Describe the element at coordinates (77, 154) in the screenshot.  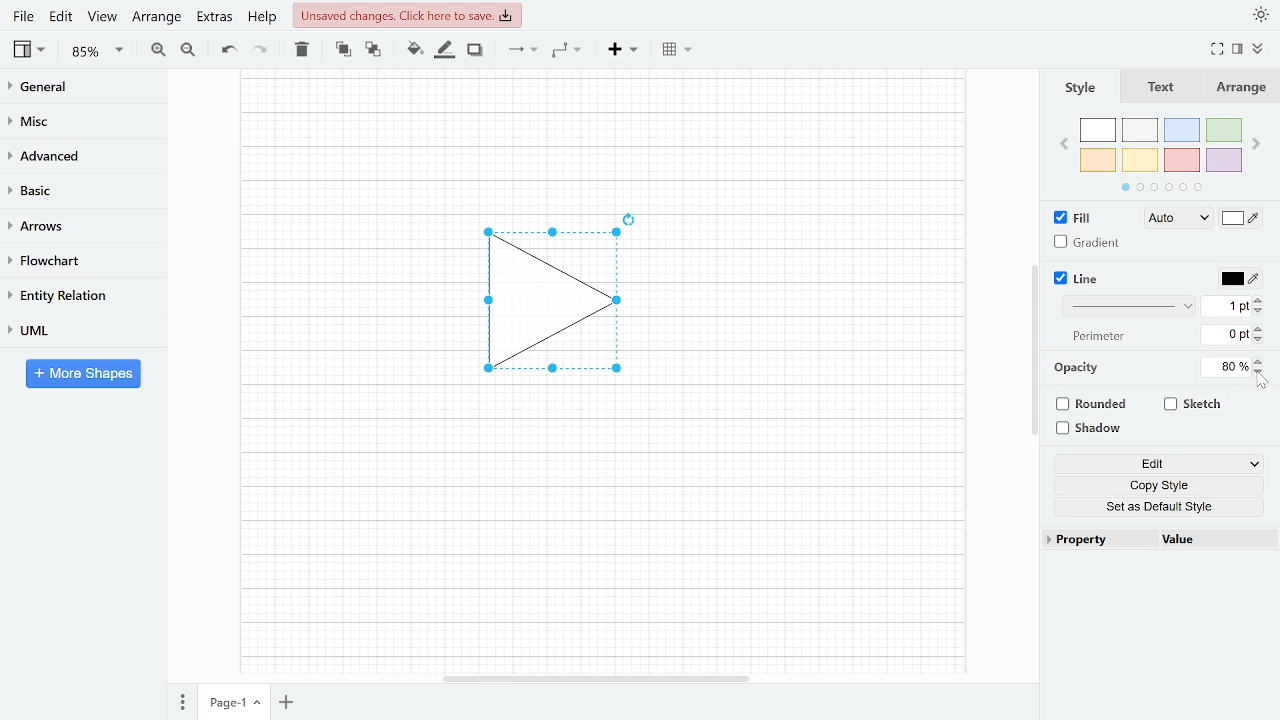
I see `Advanced` at that location.